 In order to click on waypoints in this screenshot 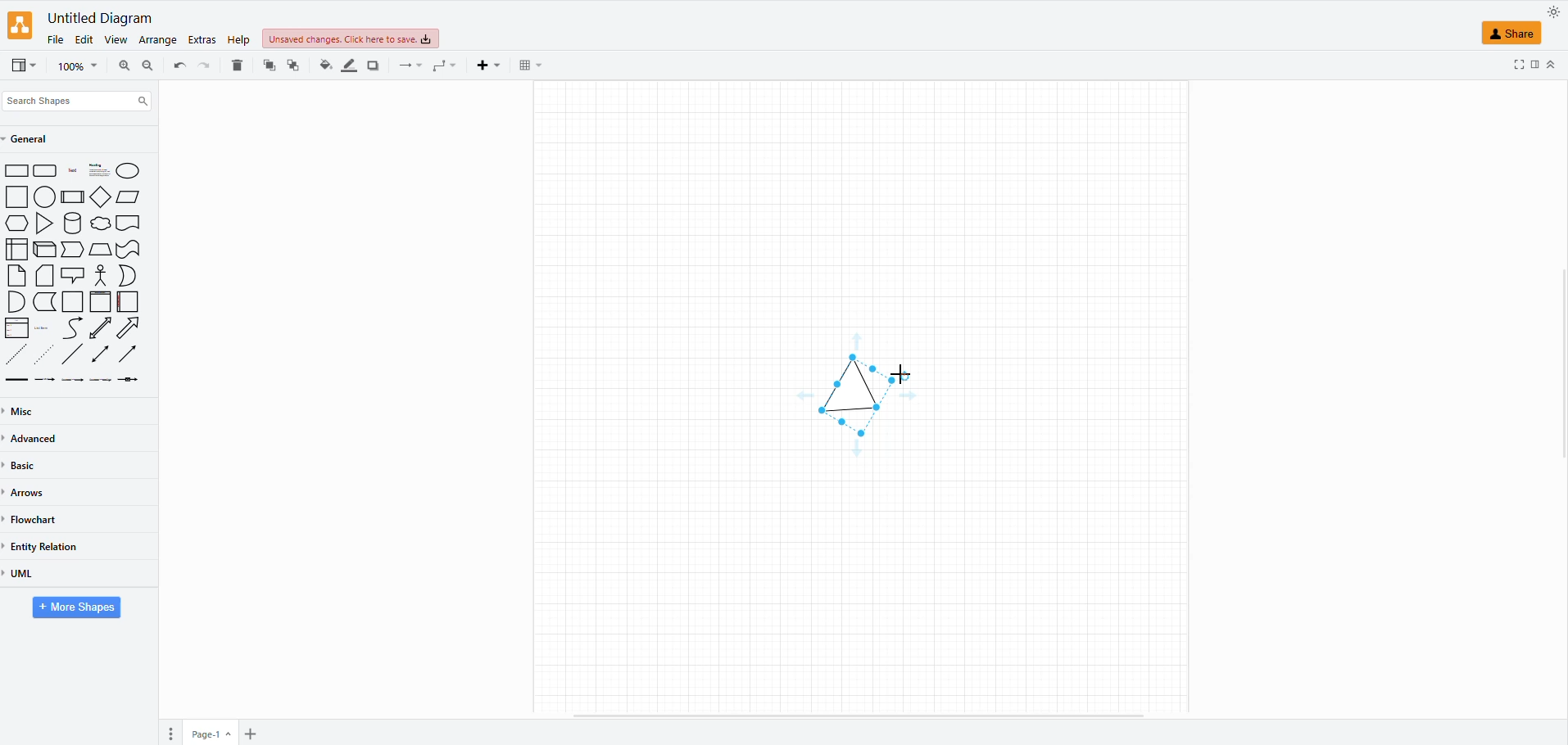, I will do `click(442, 68)`.